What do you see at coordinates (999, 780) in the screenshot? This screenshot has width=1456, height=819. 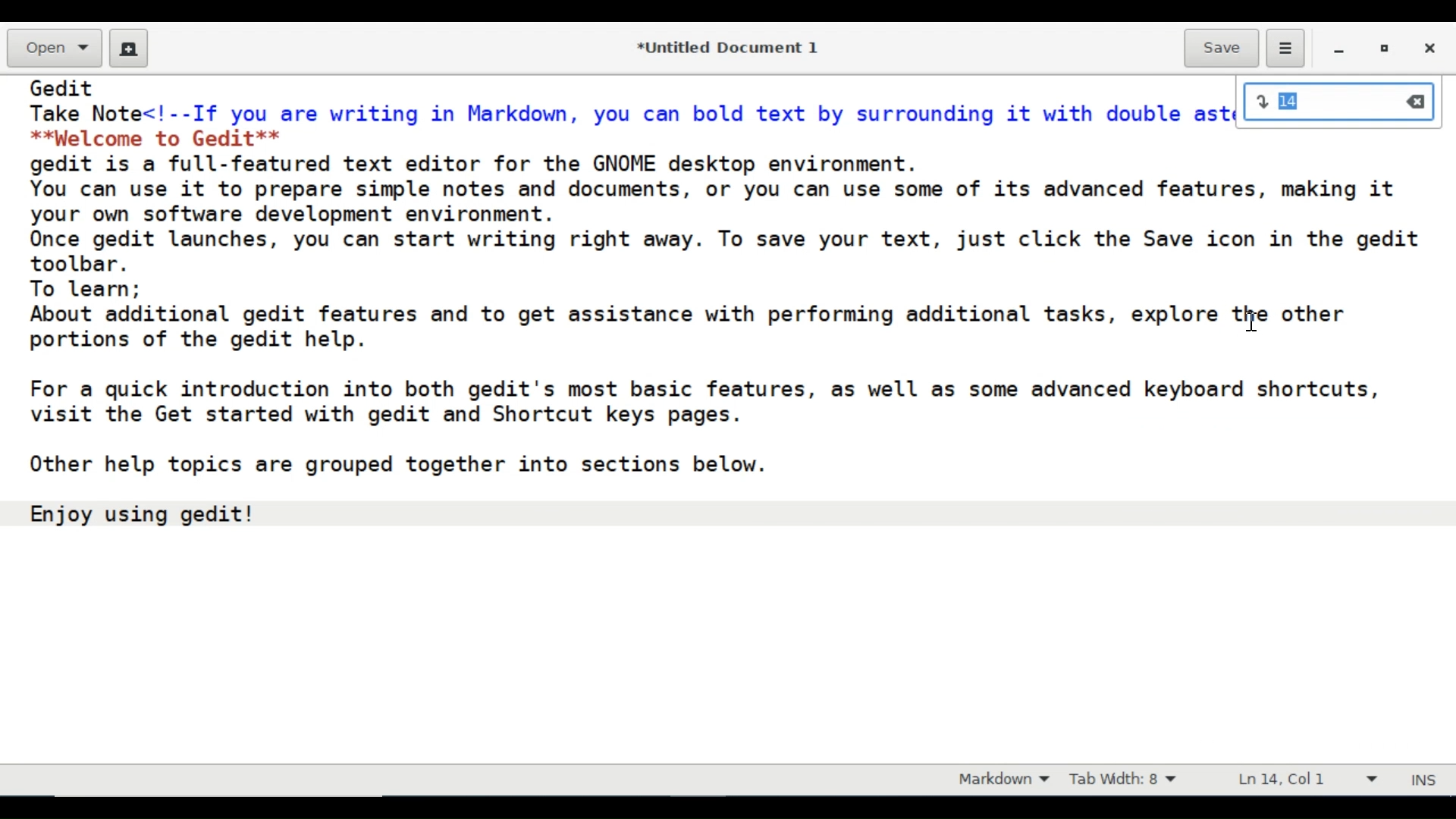 I see `Markdown` at bounding box center [999, 780].